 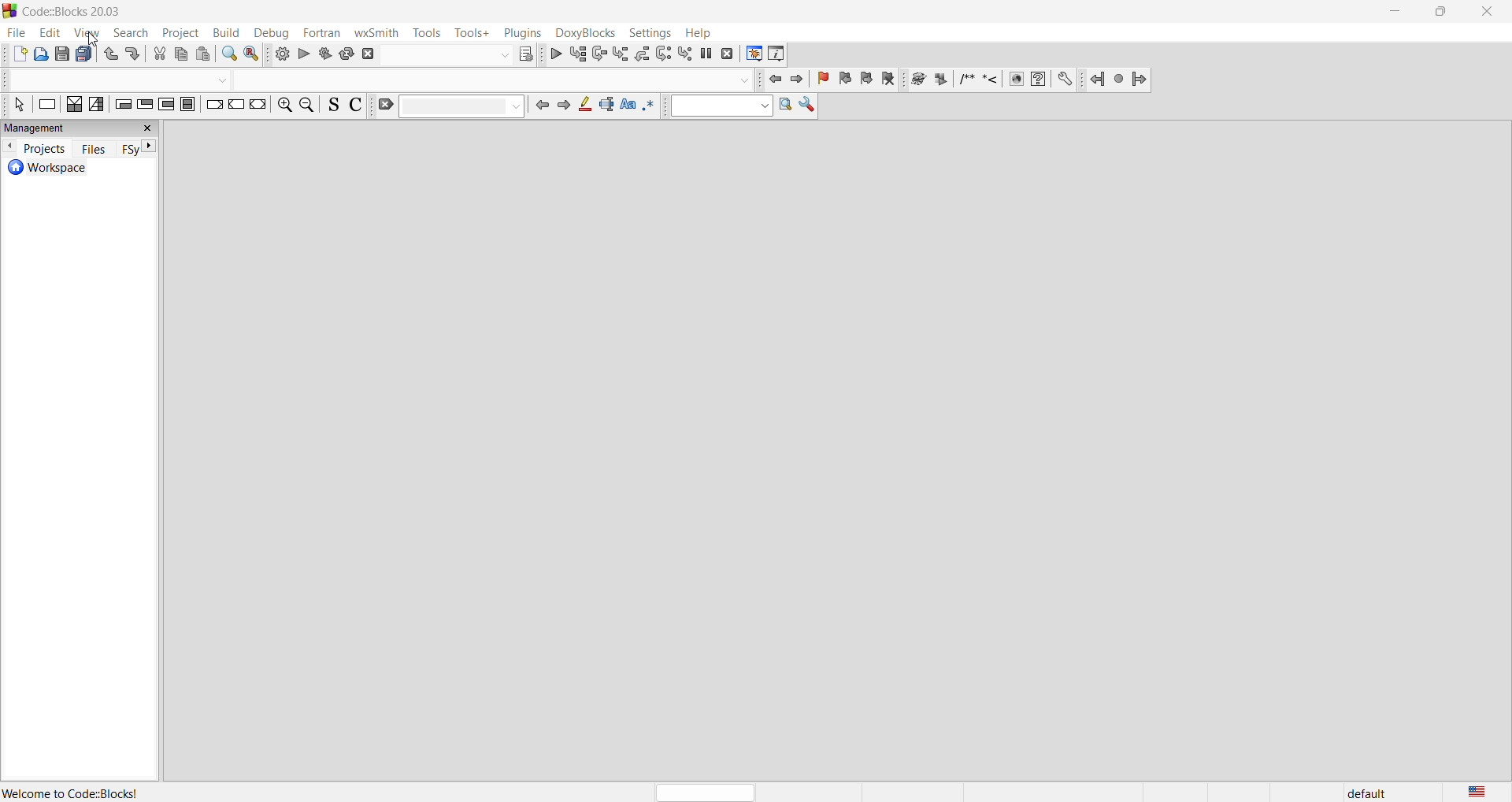 What do you see at coordinates (651, 32) in the screenshot?
I see `settings` at bounding box center [651, 32].